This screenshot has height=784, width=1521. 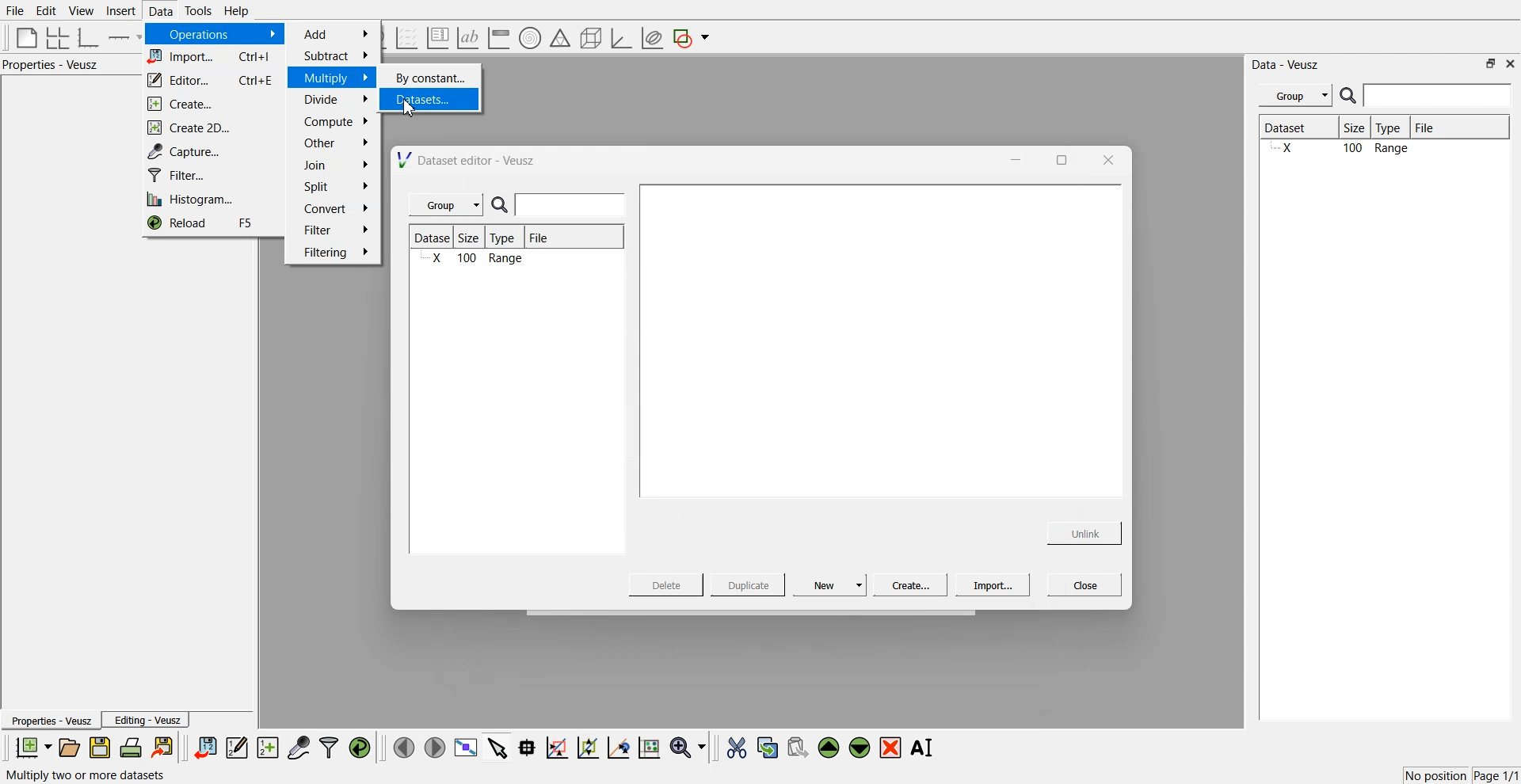 What do you see at coordinates (90, 37) in the screenshot?
I see `base graphs` at bounding box center [90, 37].